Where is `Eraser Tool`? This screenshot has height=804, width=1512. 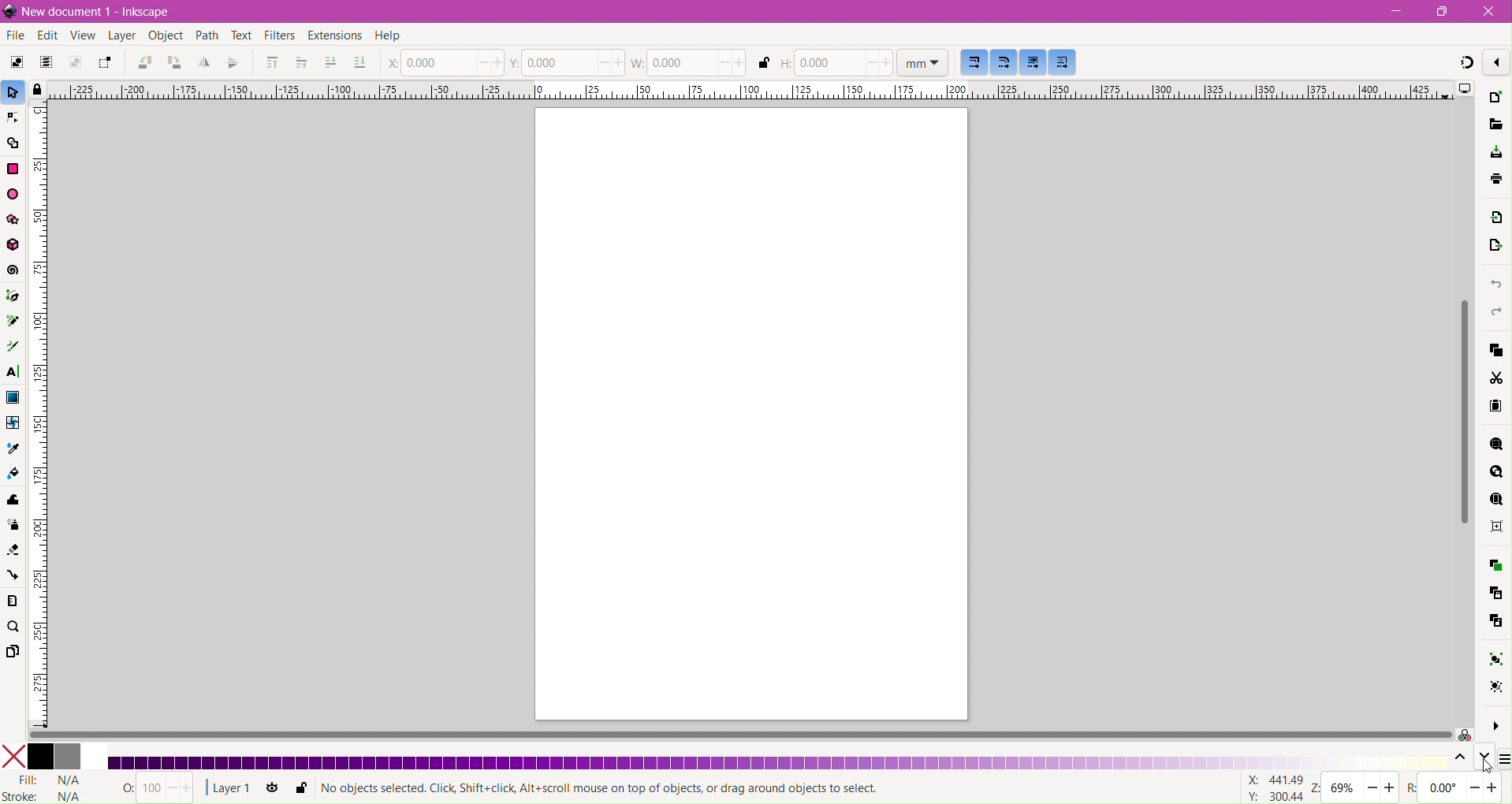 Eraser Tool is located at coordinates (13, 548).